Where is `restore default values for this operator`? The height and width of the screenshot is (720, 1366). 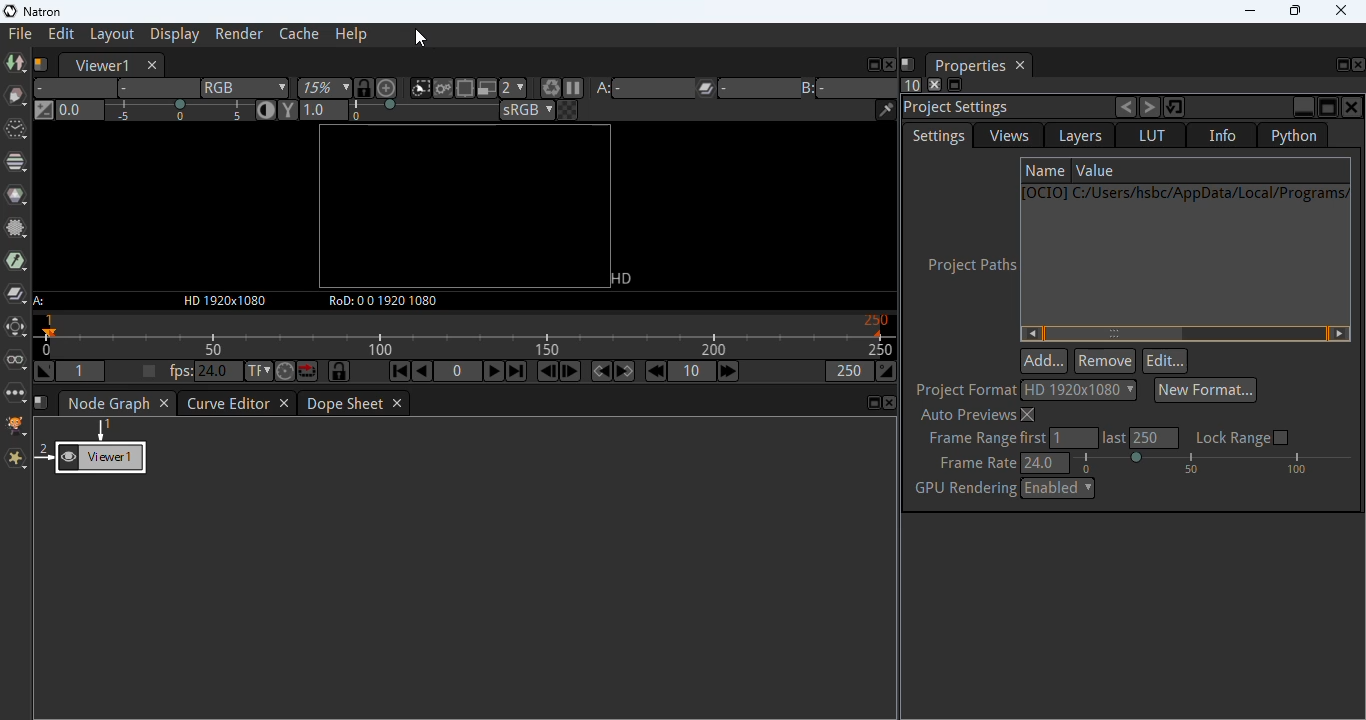
restore default values for this operator is located at coordinates (1175, 107).